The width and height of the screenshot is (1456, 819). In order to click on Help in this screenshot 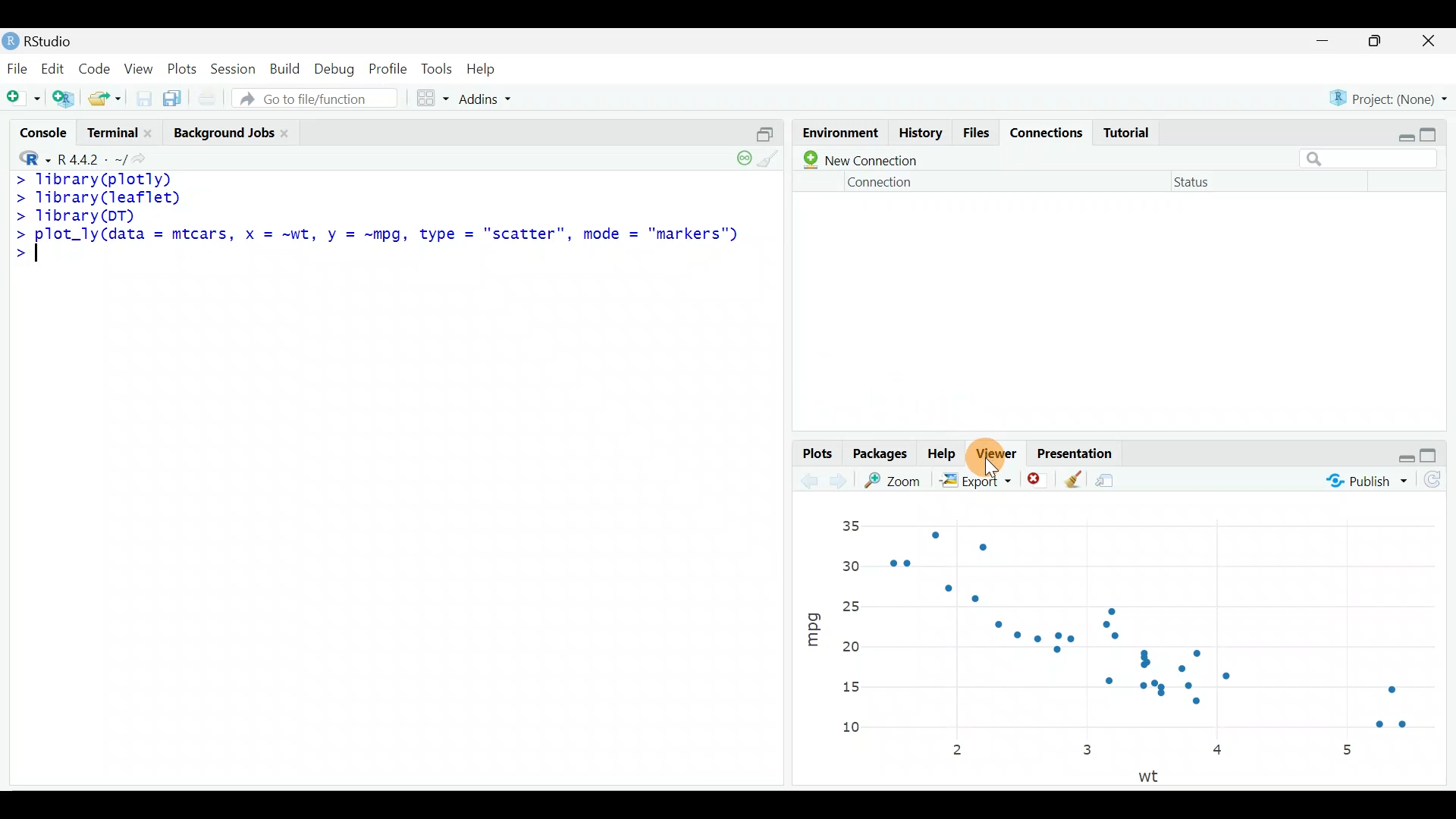, I will do `click(943, 452)`.